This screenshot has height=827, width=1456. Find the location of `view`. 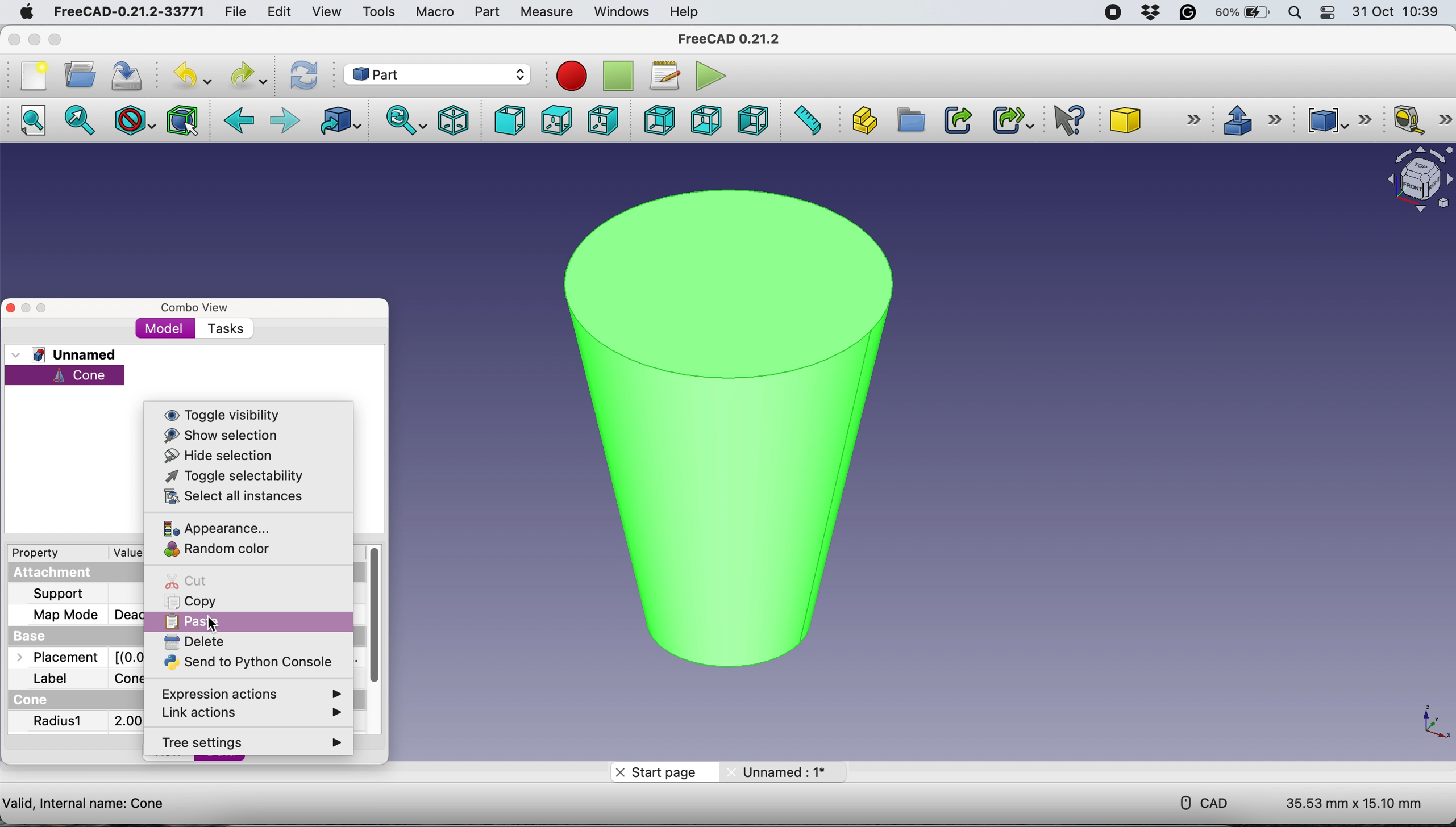

view is located at coordinates (326, 11).